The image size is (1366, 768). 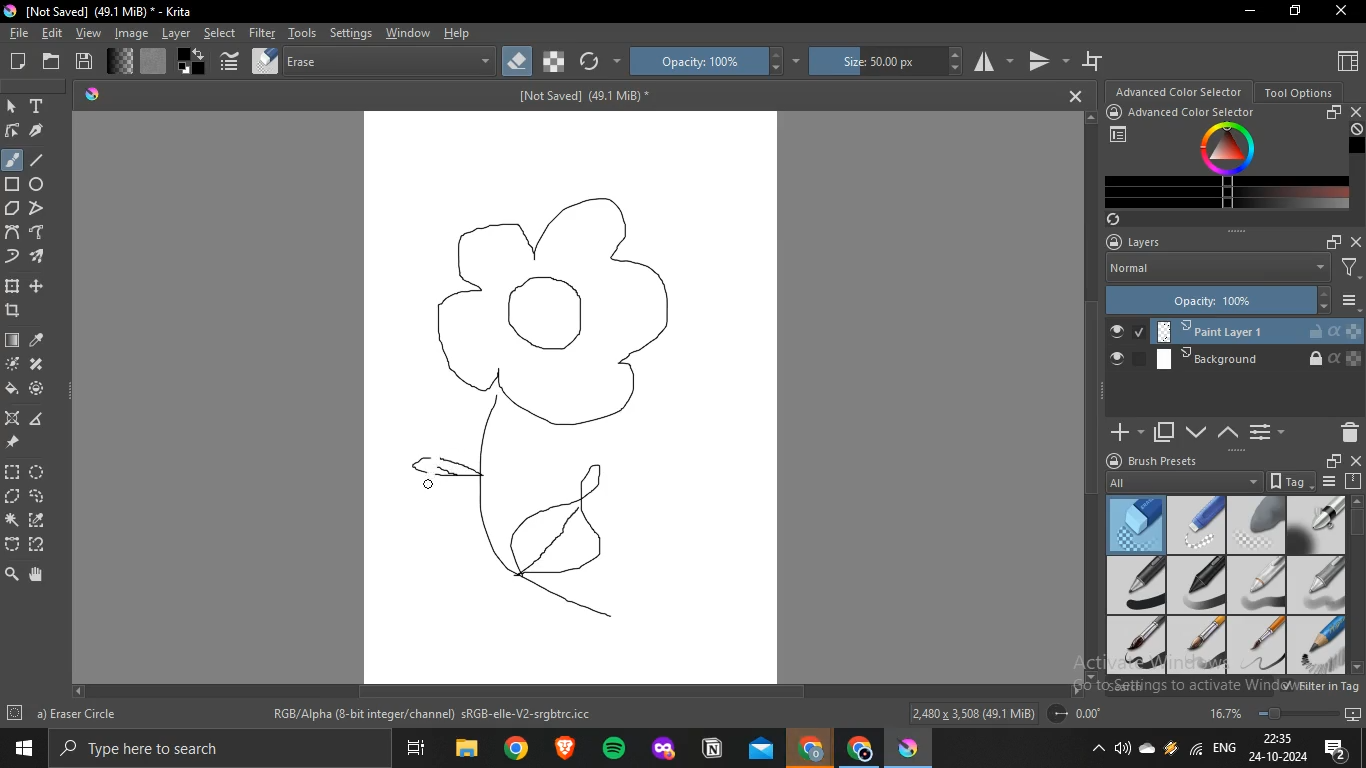 What do you see at coordinates (1318, 645) in the screenshot?
I see `basic 1 sketch` at bounding box center [1318, 645].